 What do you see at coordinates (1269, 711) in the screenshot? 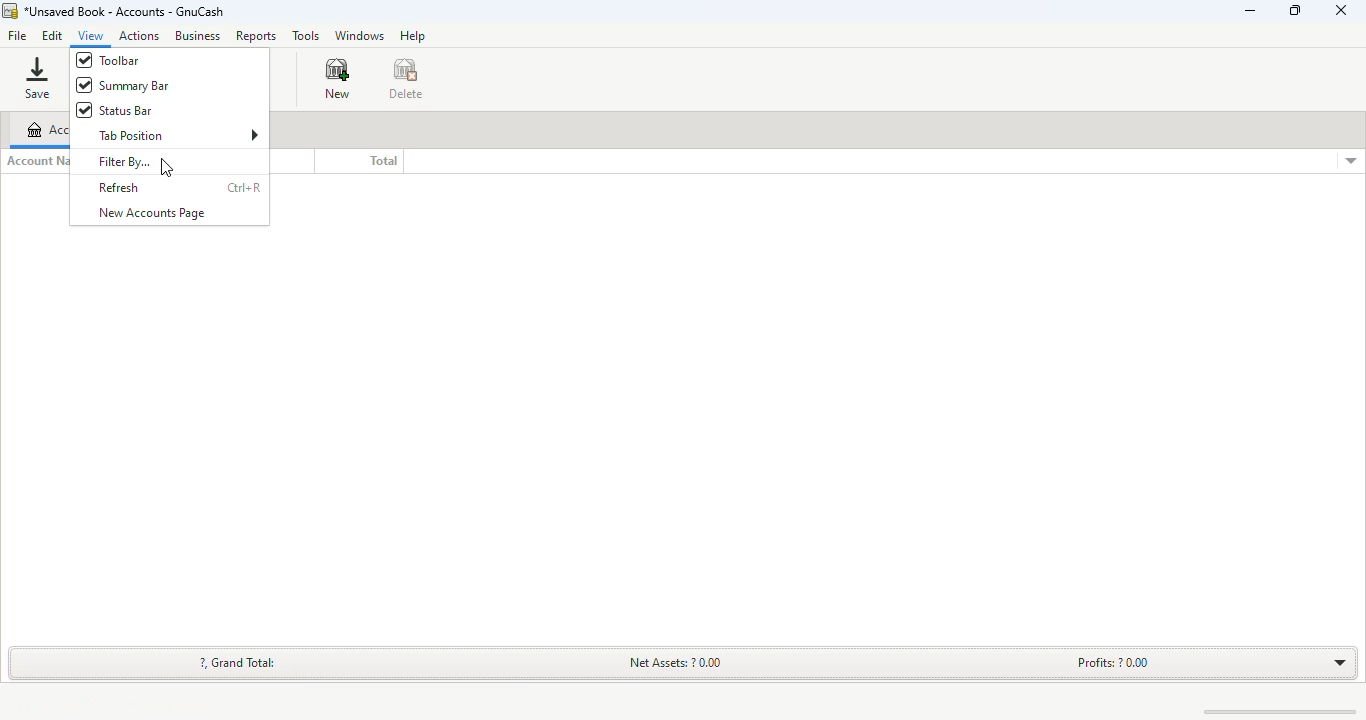
I see `scroll` at bounding box center [1269, 711].